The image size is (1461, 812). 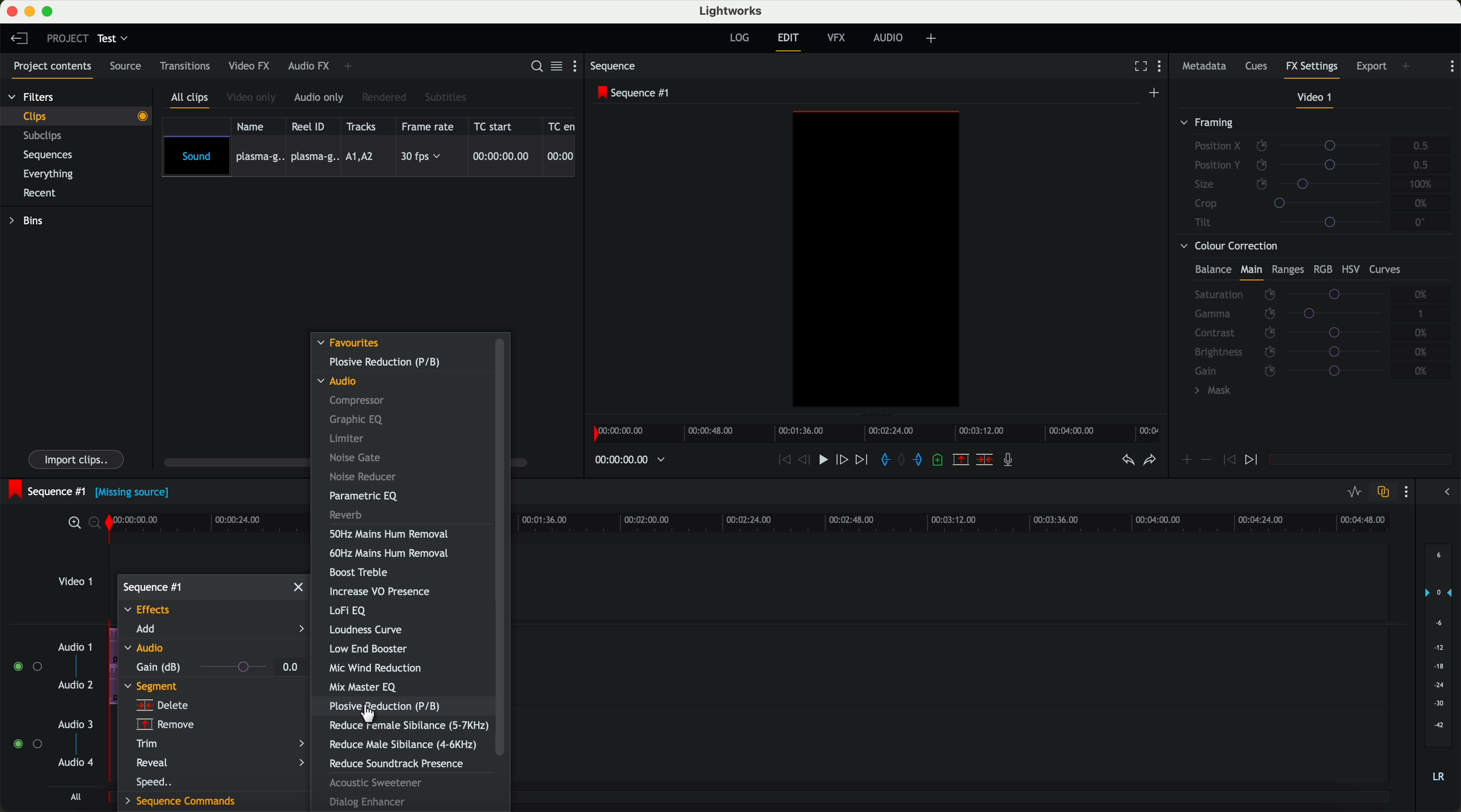 What do you see at coordinates (129, 67) in the screenshot?
I see `source` at bounding box center [129, 67].